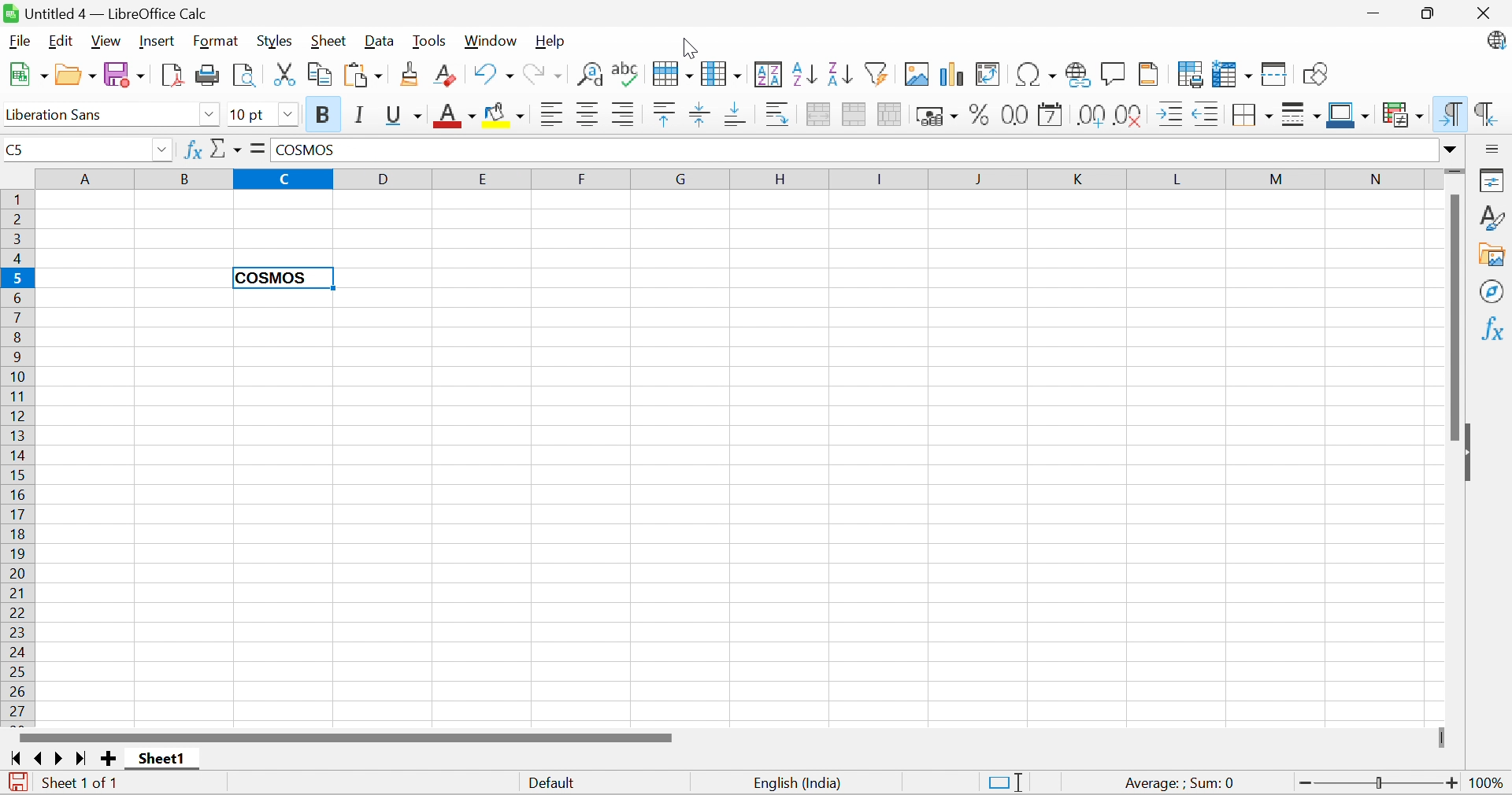 The image size is (1512, 795). What do you see at coordinates (952, 76) in the screenshot?
I see `Insert Chart` at bounding box center [952, 76].